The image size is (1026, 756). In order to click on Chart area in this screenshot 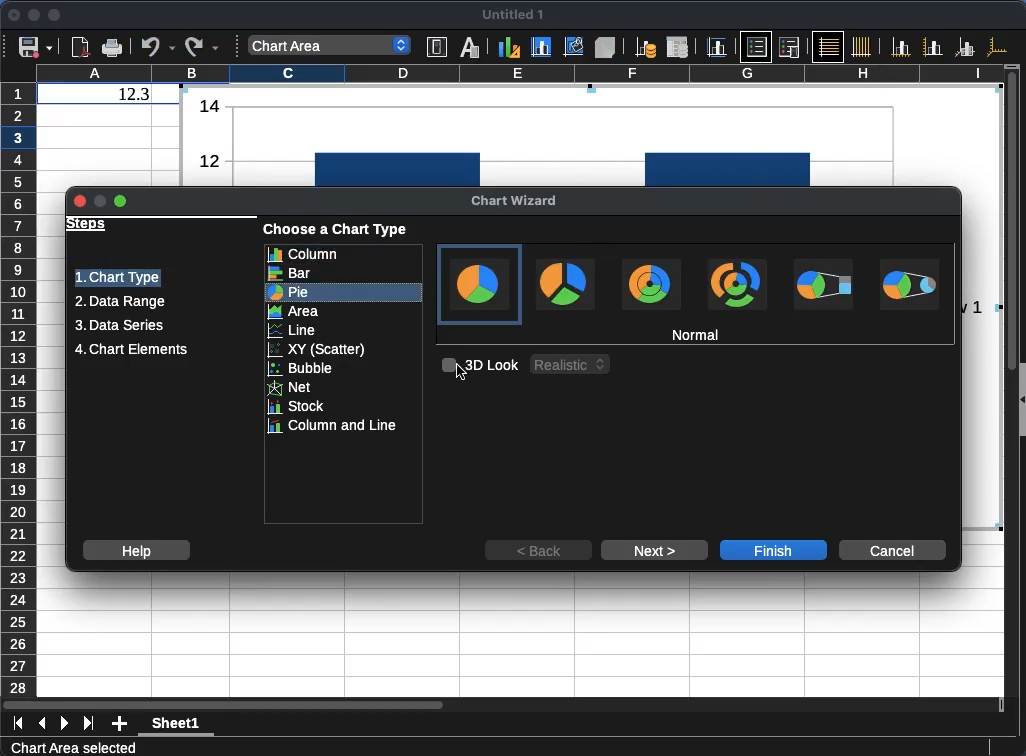, I will do `click(542, 47)`.